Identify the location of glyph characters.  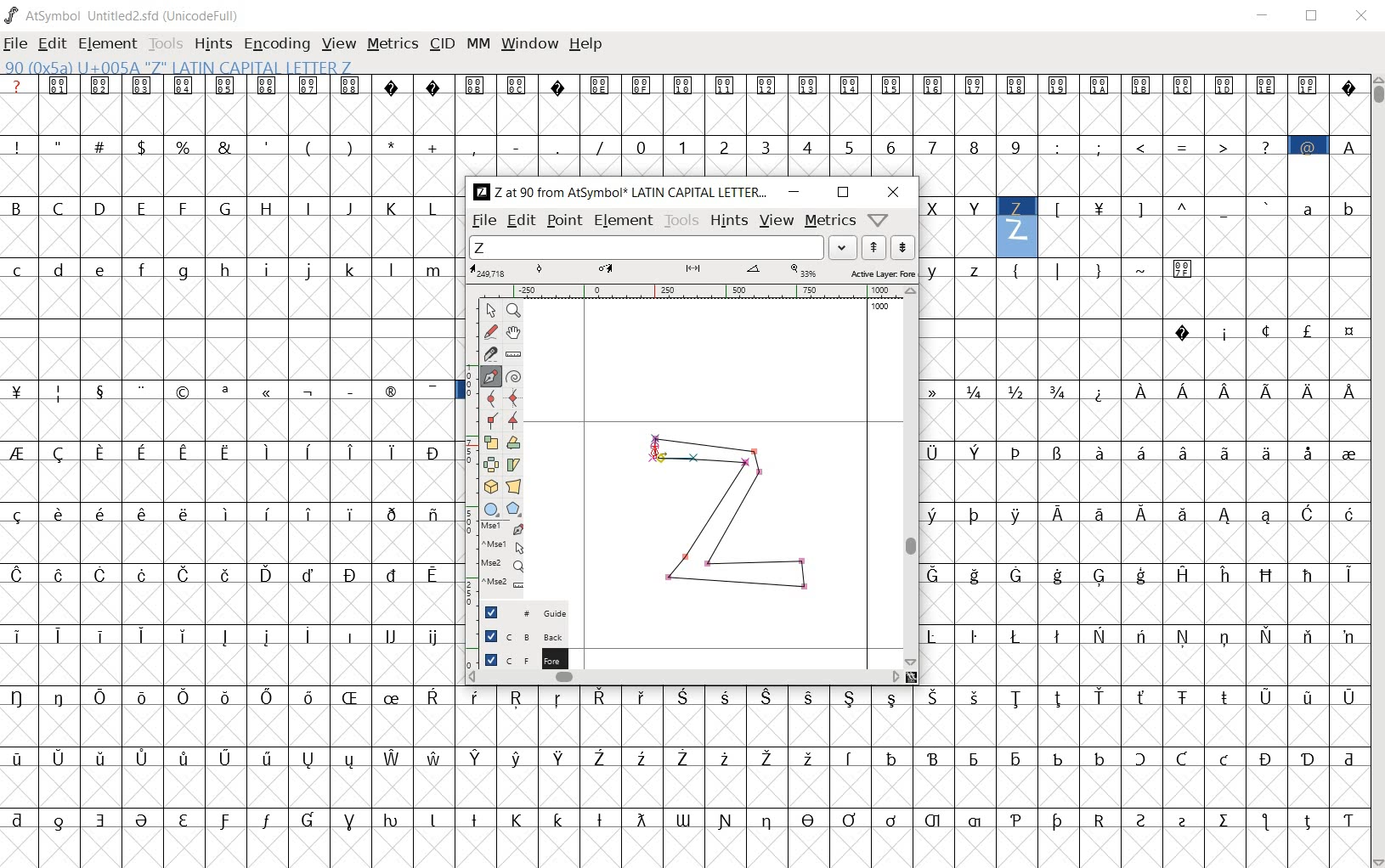
(913, 777).